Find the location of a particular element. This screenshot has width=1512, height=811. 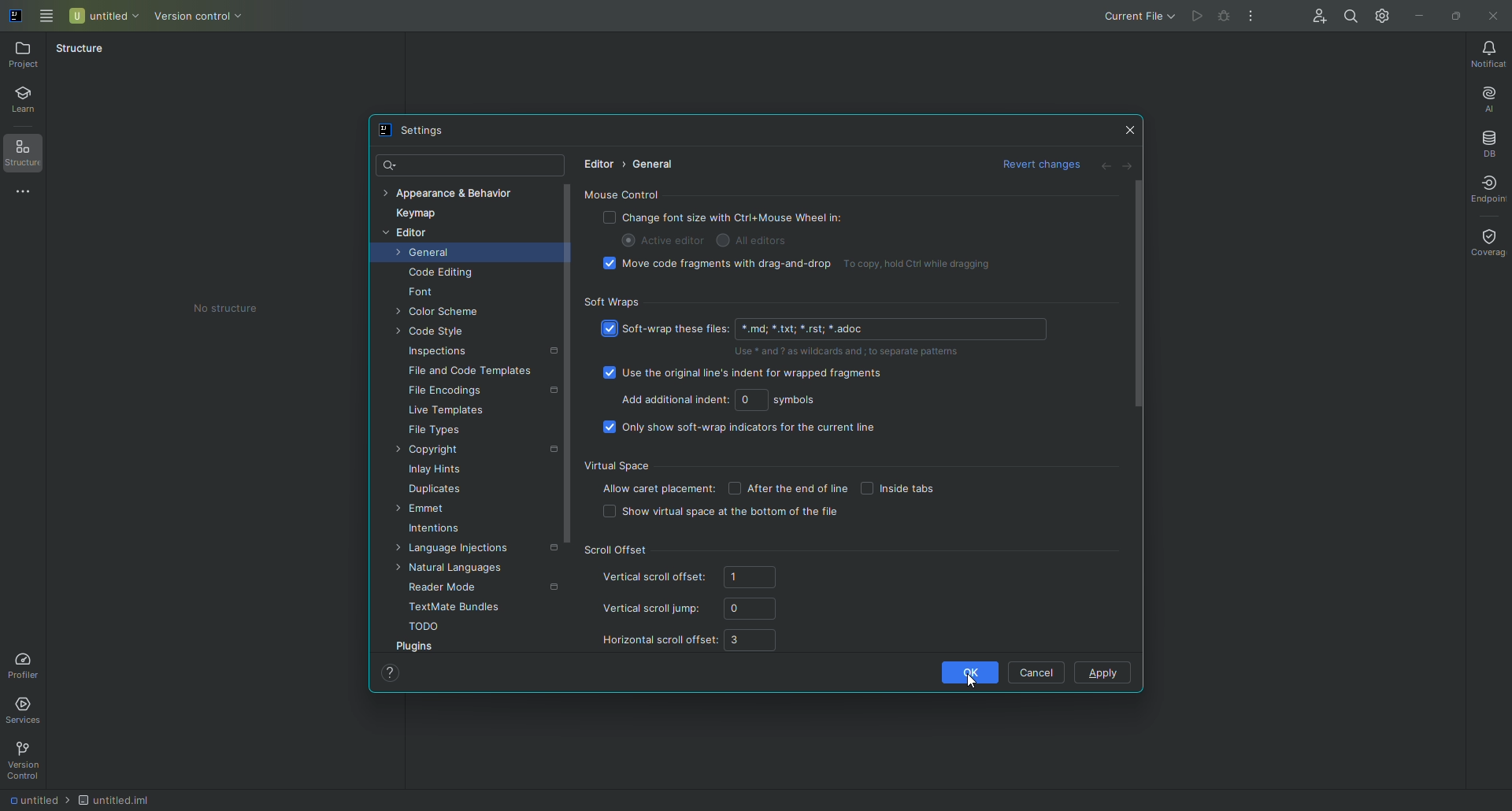

Current file is located at coordinates (1135, 15).